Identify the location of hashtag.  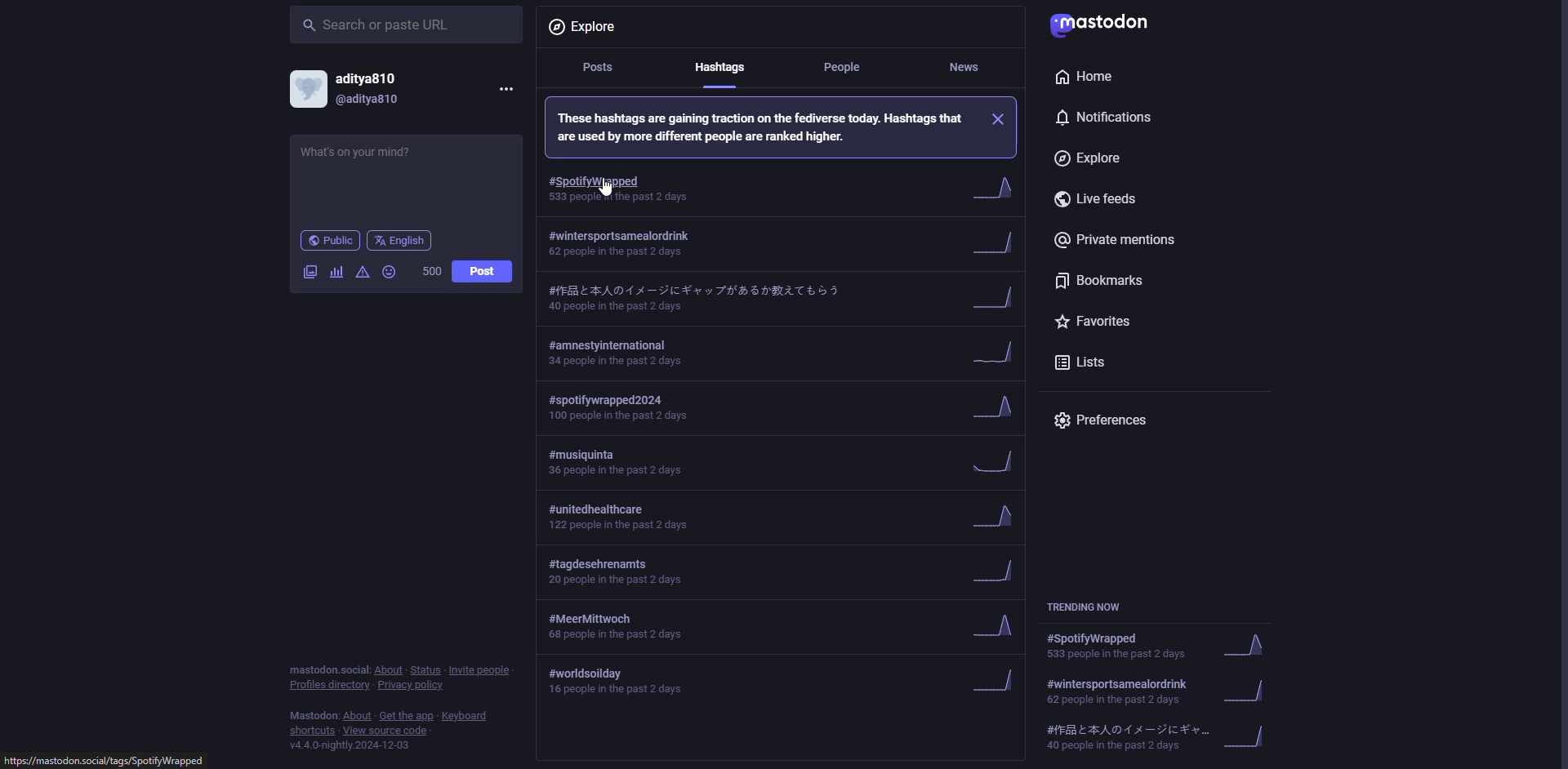
(709, 297).